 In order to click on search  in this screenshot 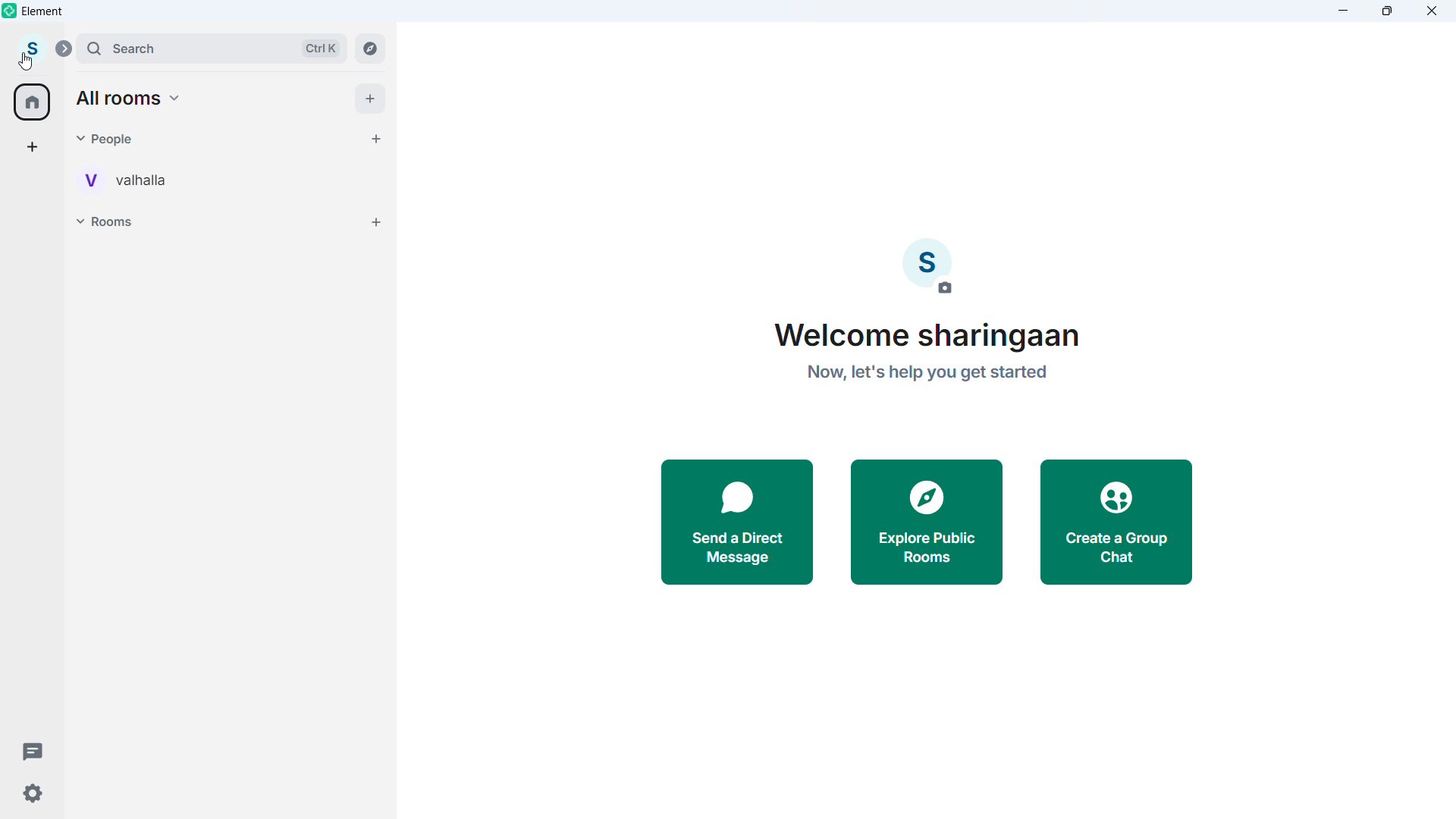, I will do `click(209, 49)`.